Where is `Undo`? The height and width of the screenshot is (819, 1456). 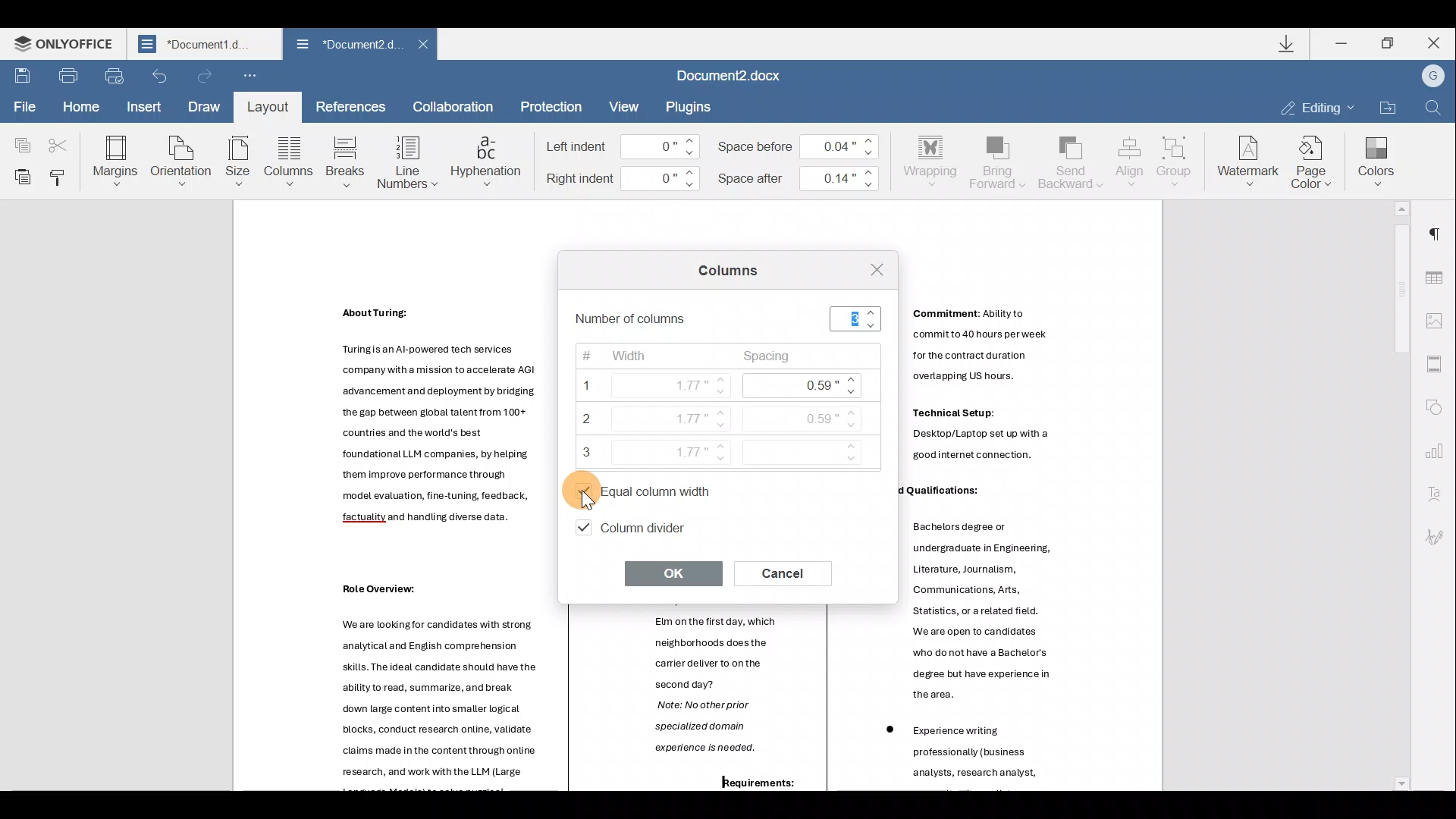
Undo is located at coordinates (159, 76).